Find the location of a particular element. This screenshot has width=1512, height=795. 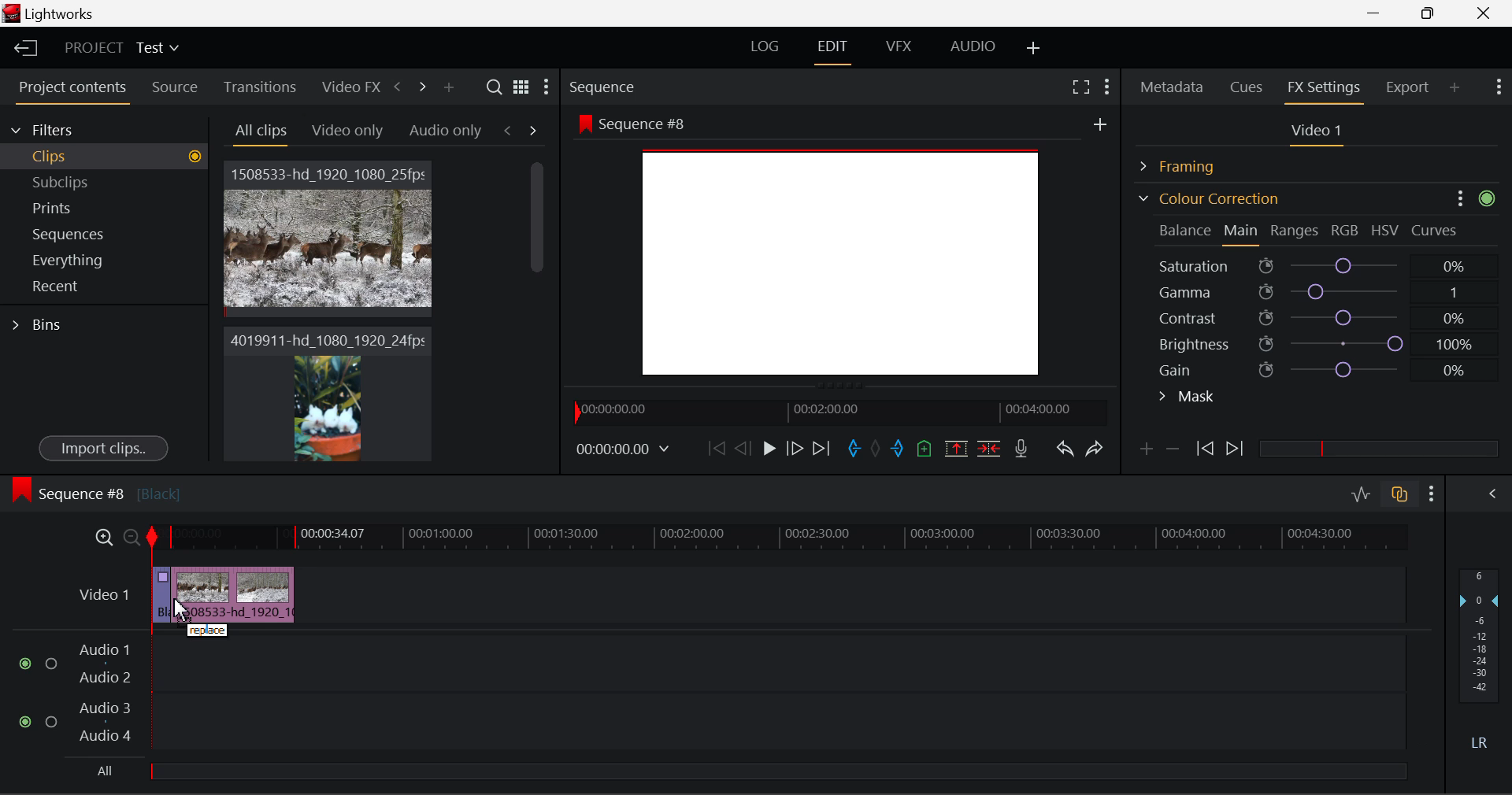

Export Panel is located at coordinates (1410, 87).